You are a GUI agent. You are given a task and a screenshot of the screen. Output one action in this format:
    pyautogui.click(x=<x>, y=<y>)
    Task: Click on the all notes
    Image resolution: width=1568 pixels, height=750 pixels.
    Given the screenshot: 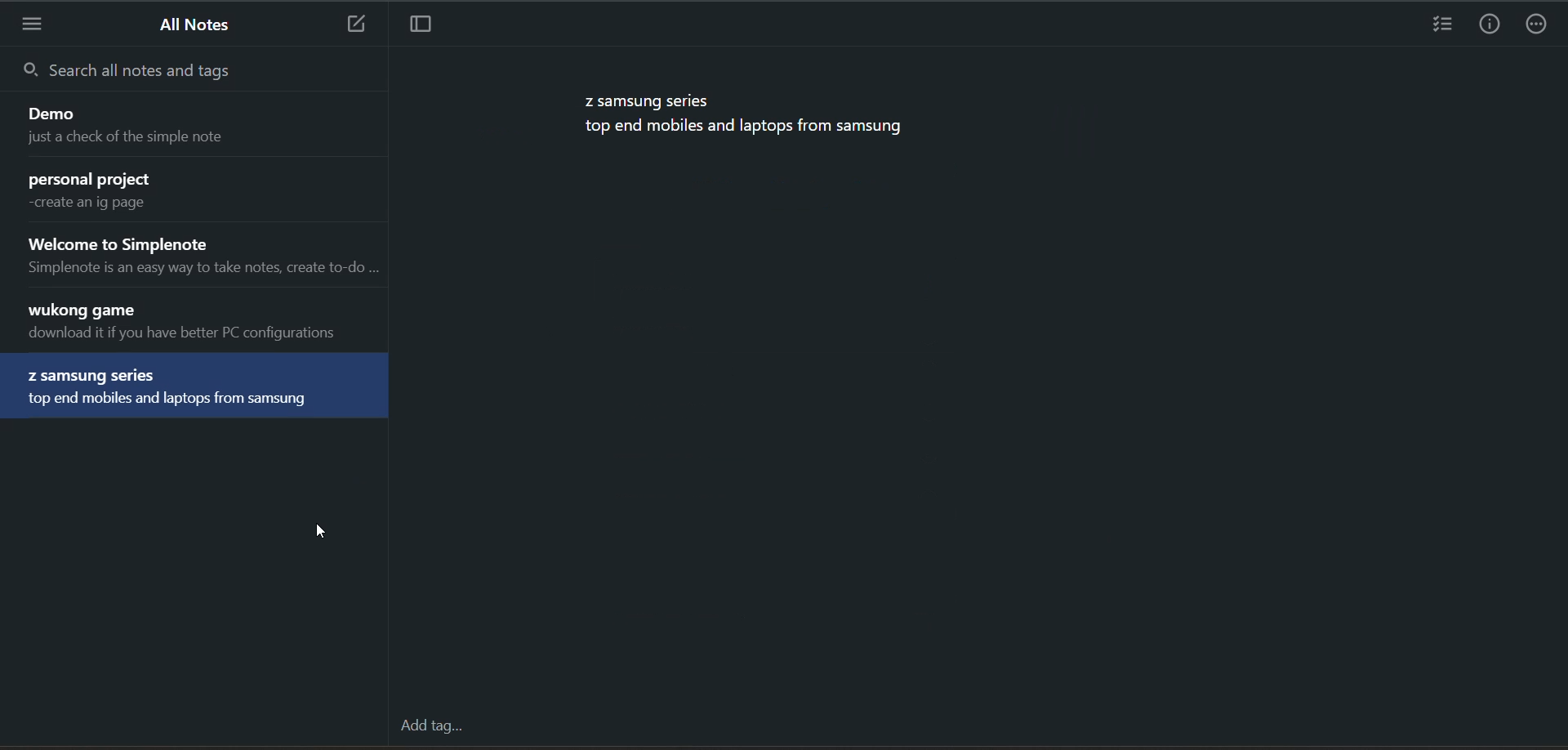 What is the action you would take?
    pyautogui.click(x=189, y=23)
    